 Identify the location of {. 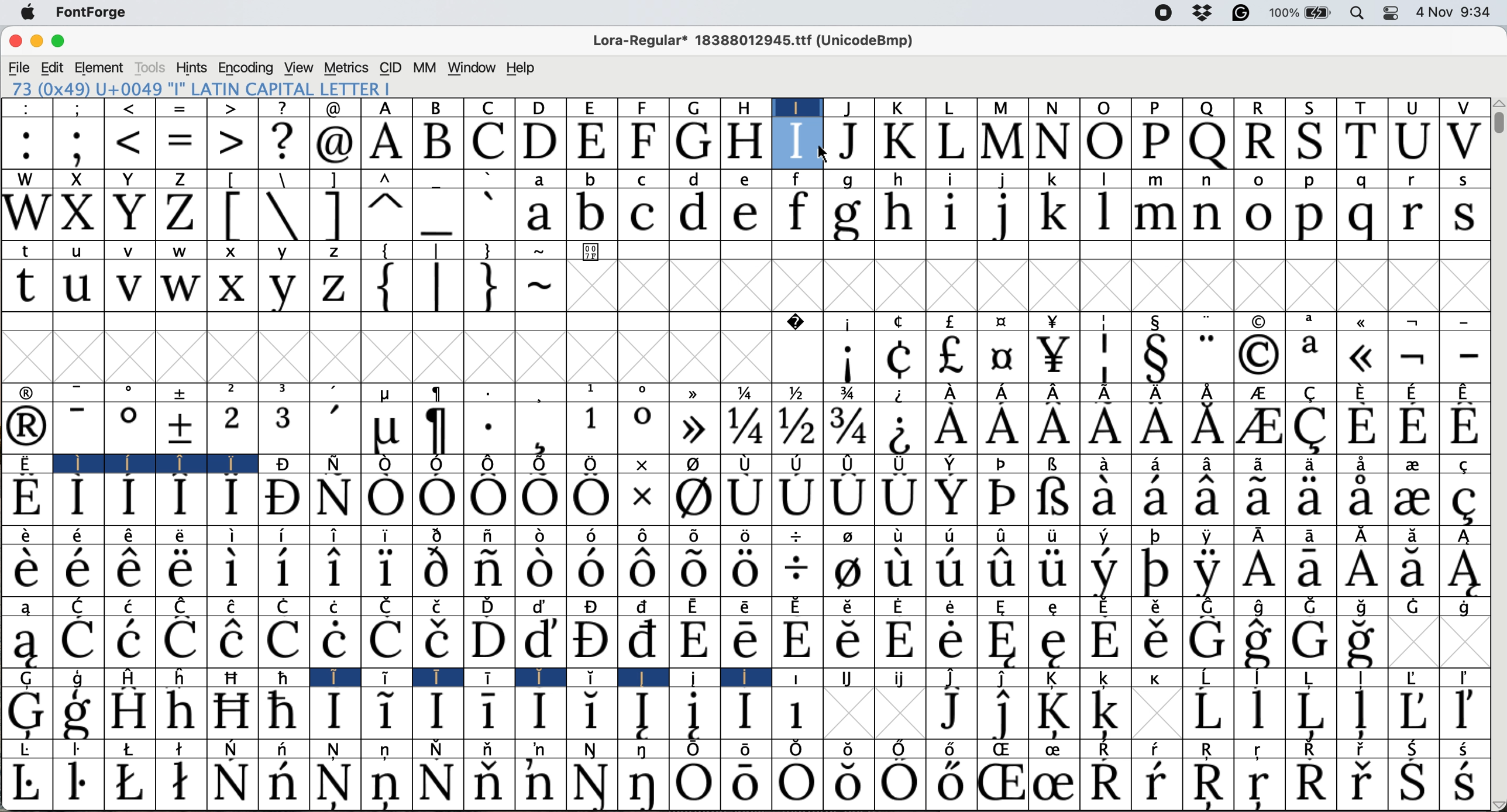
(388, 250).